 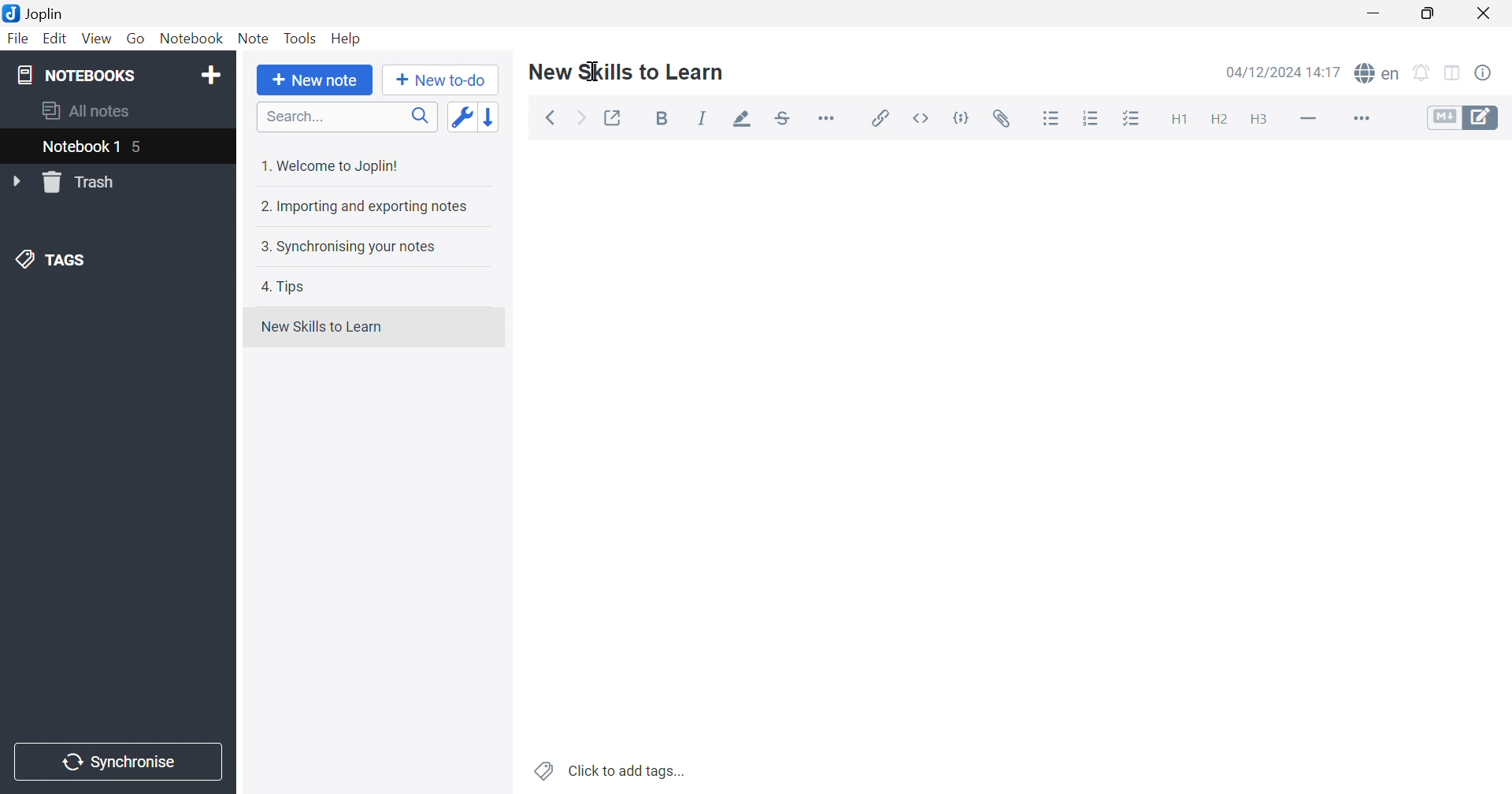 I want to click on Numbered list, so click(x=1092, y=118).